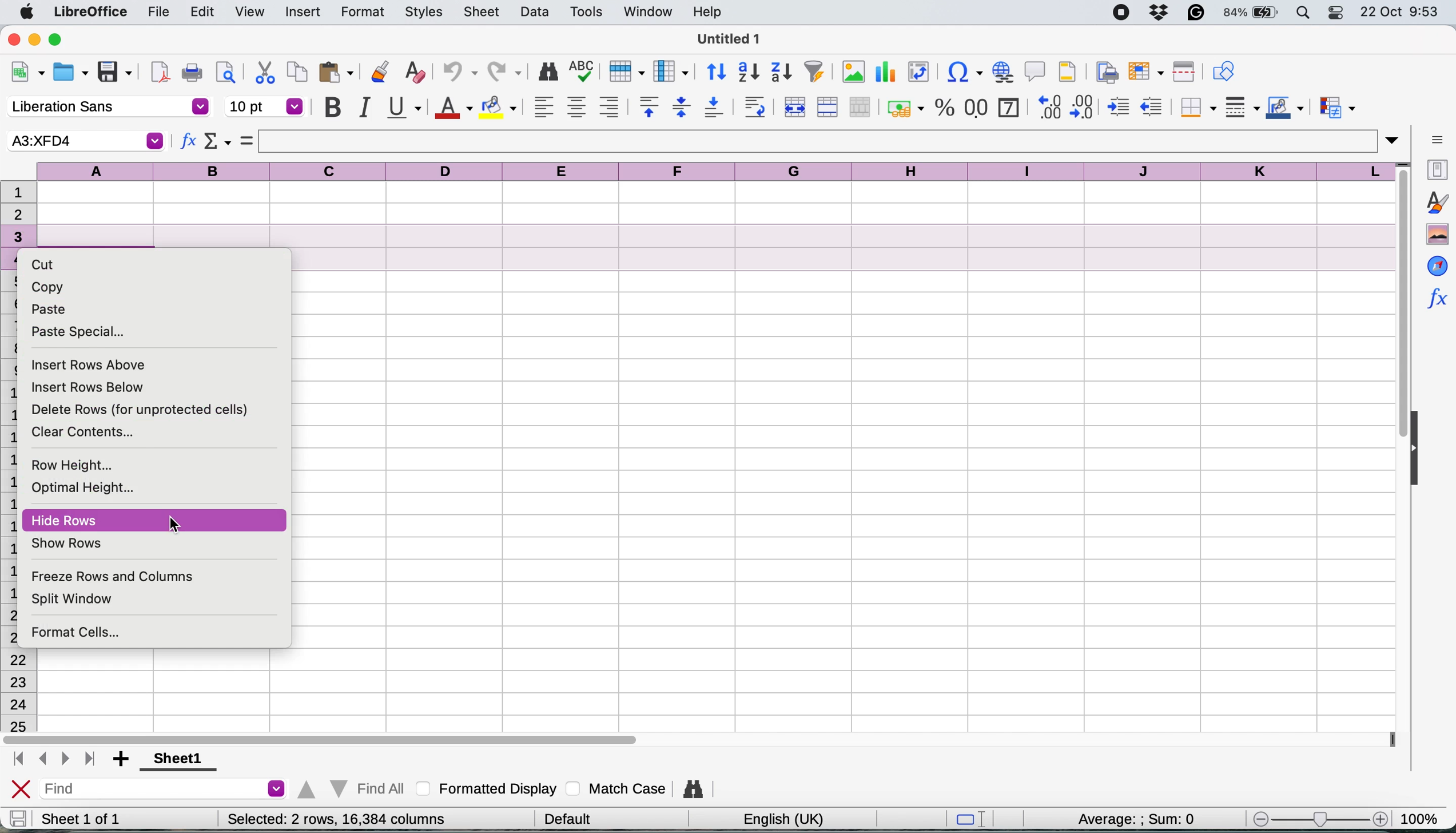 The height and width of the screenshot is (833, 1456). I want to click on autofilter, so click(814, 72).